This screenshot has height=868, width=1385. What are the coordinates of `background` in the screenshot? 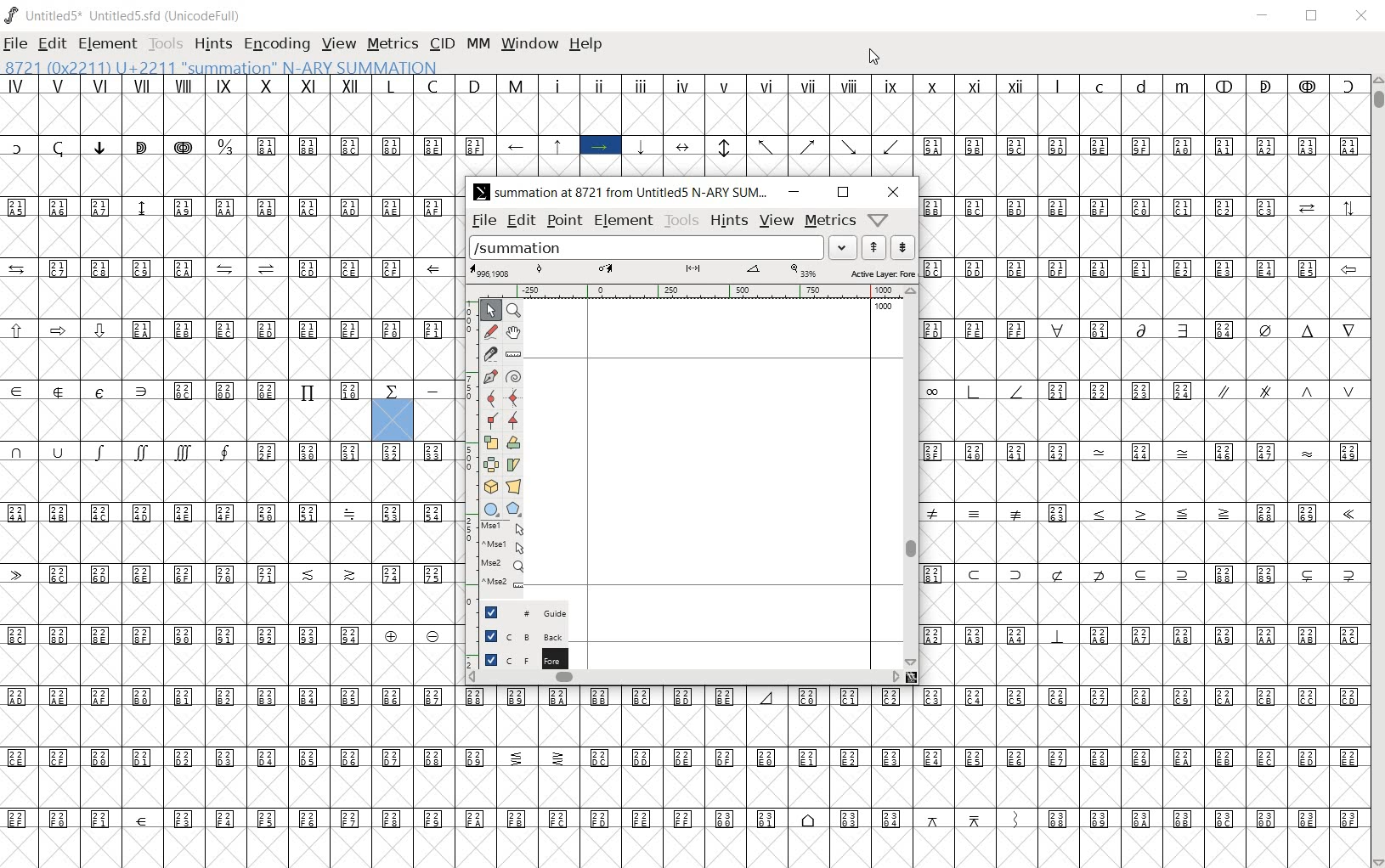 It's located at (517, 633).